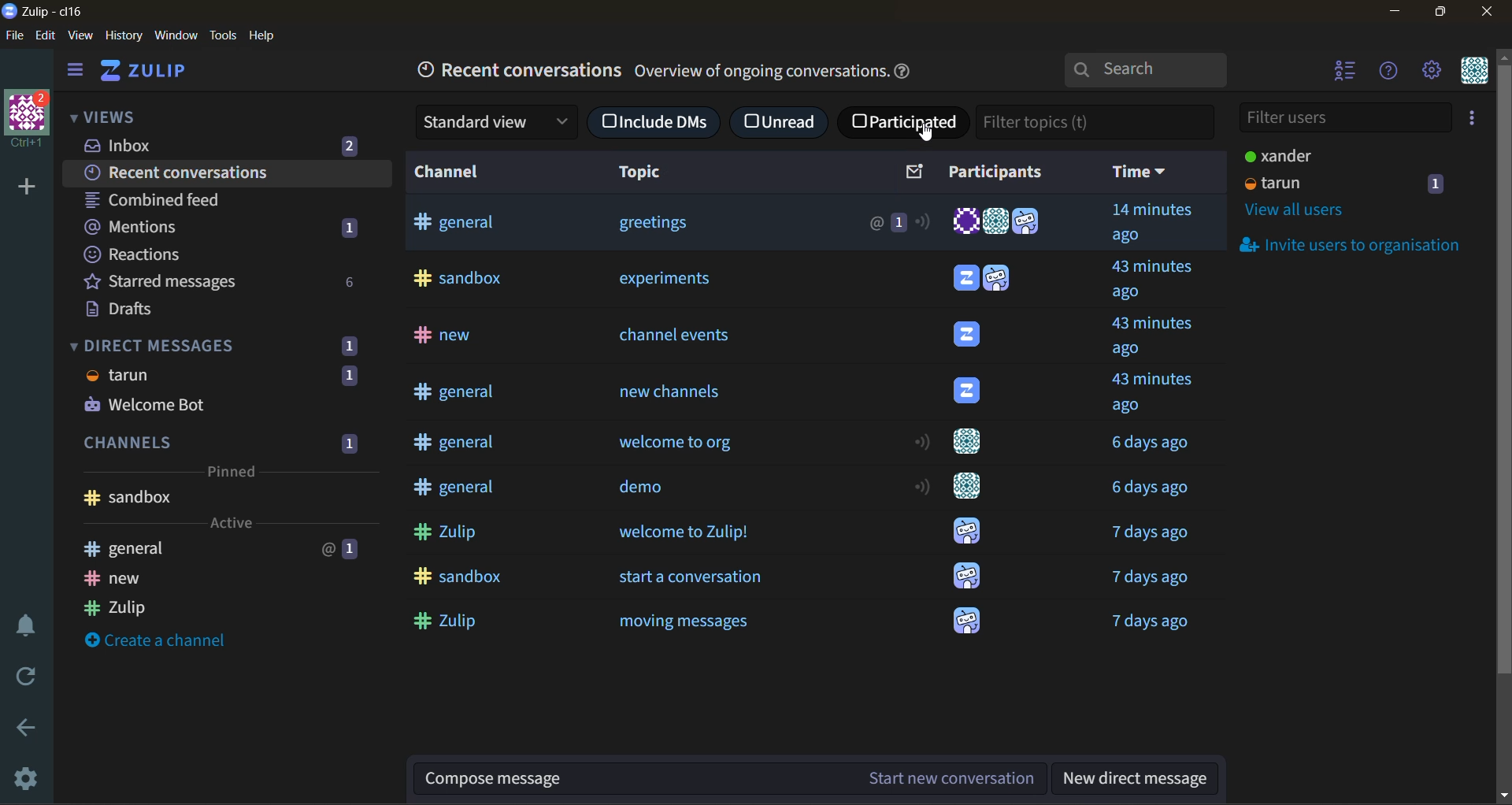 The image size is (1512, 805). What do you see at coordinates (1325, 184) in the screenshot?
I see `tarun` at bounding box center [1325, 184].